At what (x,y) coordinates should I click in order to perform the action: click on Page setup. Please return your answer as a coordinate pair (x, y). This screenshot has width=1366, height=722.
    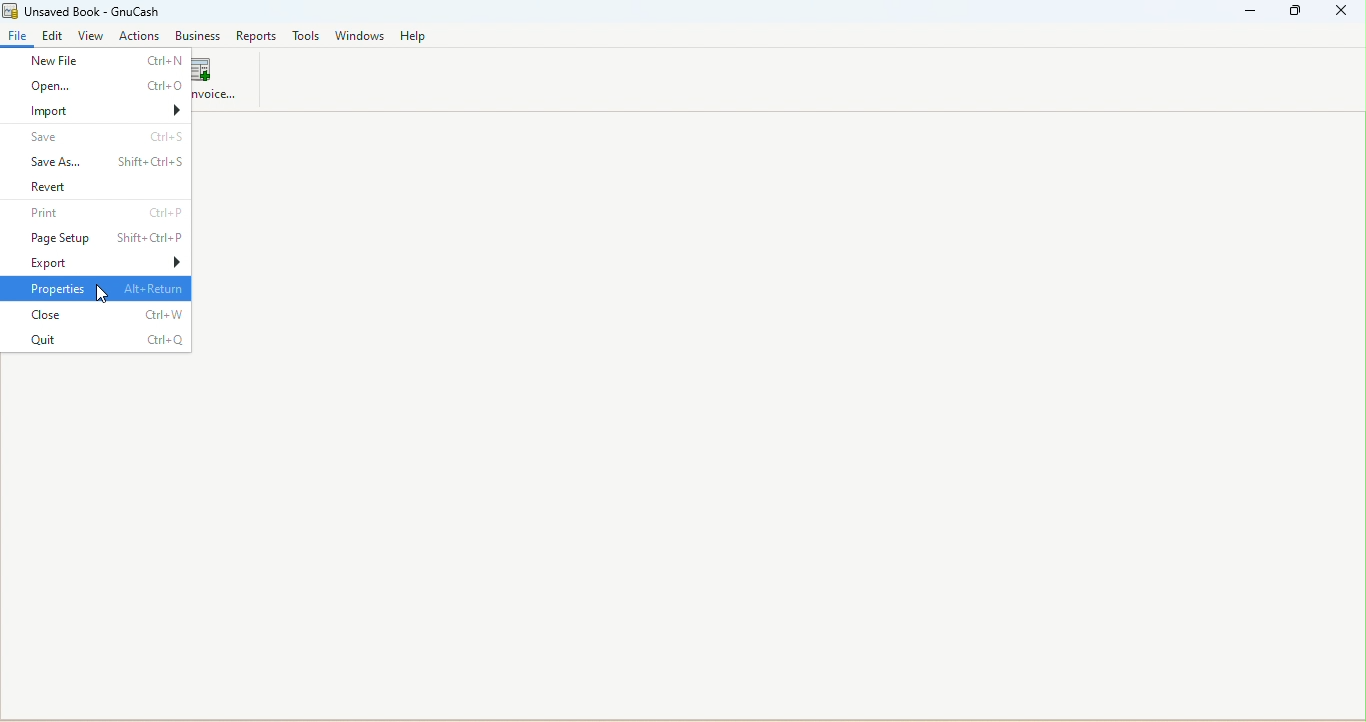
    Looking at the image, I should click on (98, 236).